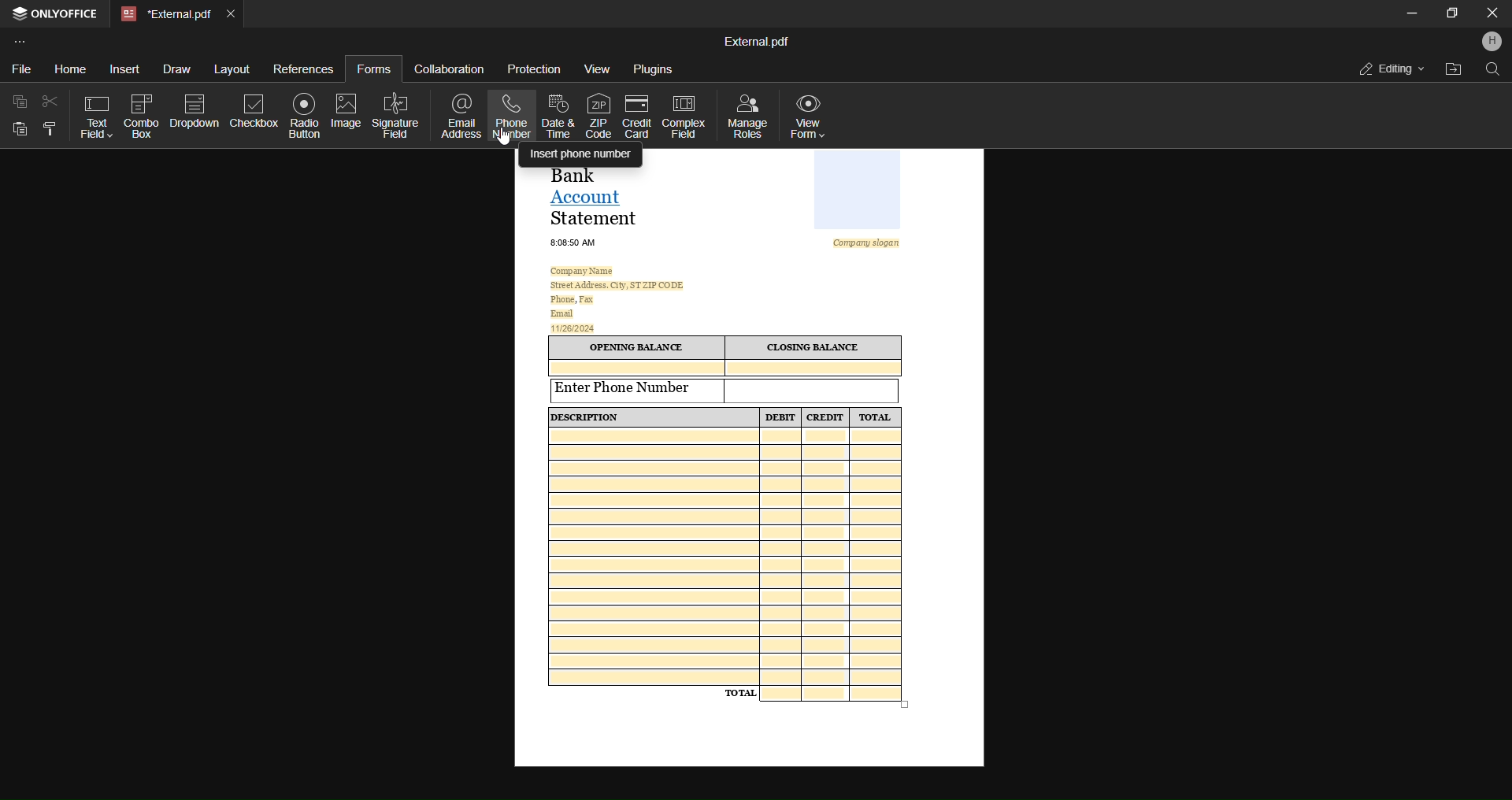 Image resolution: width=1512 pixels, height=800 pixels. What do you see at coordinates (20, 133) in the screenshot?
I see `paste` at bounding box center [20, 133].